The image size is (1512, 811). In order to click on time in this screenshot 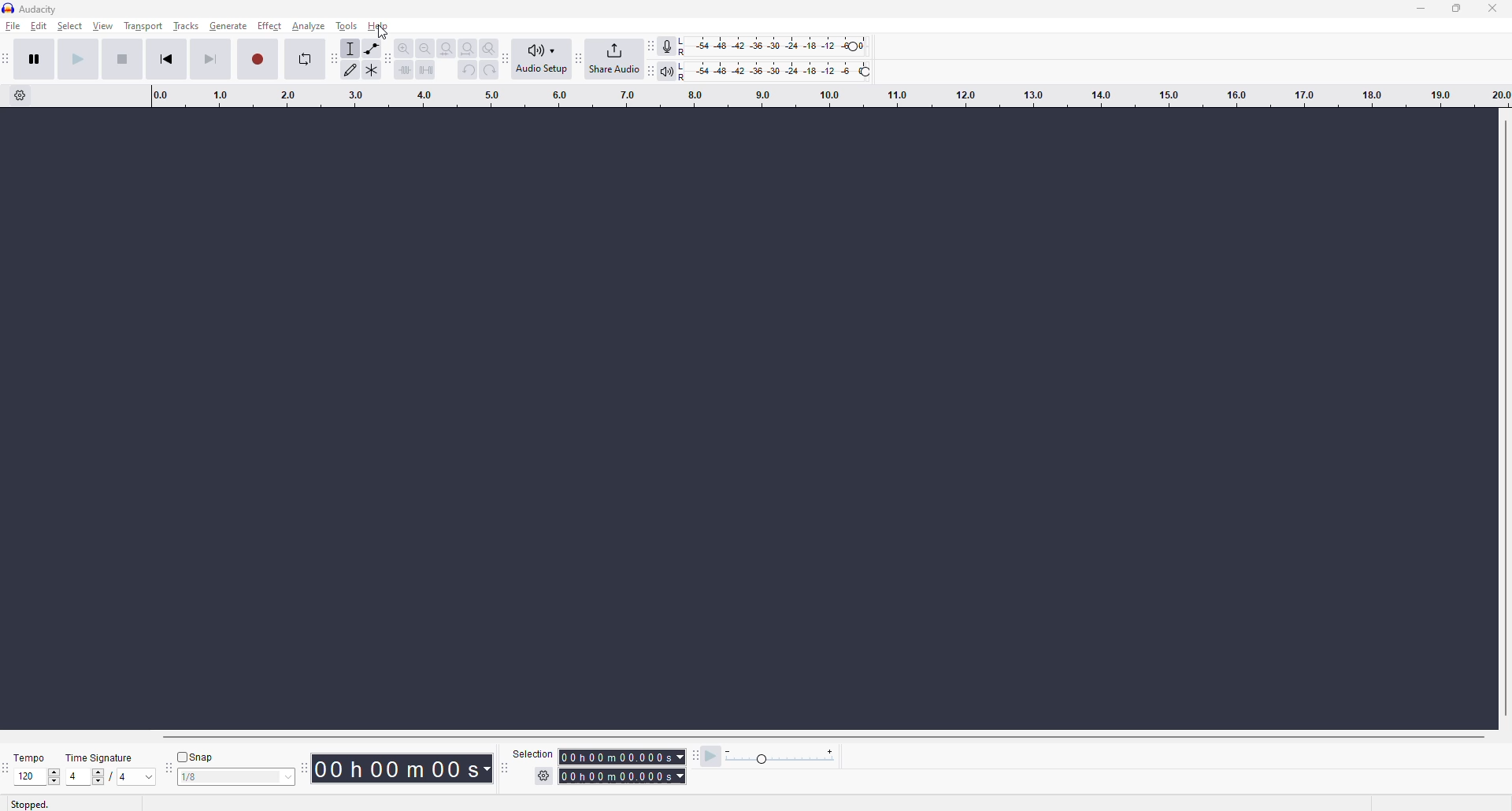, I will do `click(402, 768)`.